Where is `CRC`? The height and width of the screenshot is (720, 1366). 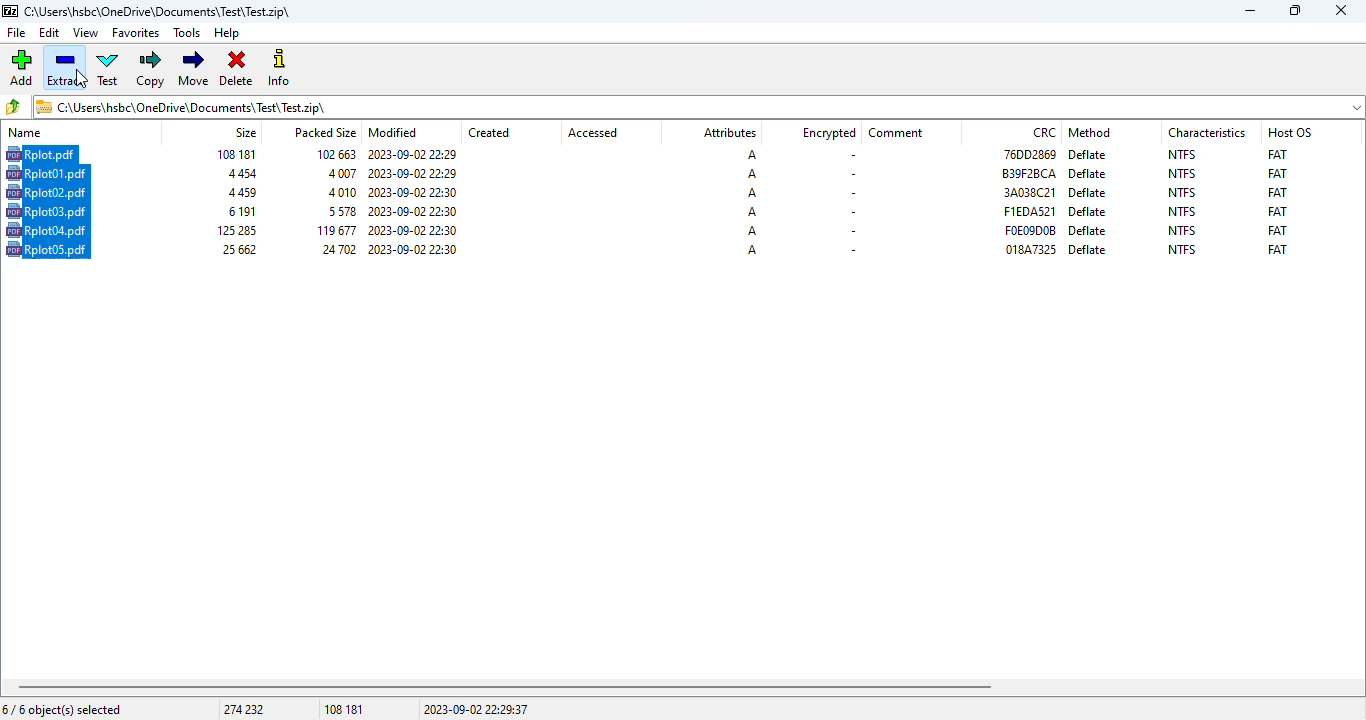 CRC is located at coordinates (1029, 211).